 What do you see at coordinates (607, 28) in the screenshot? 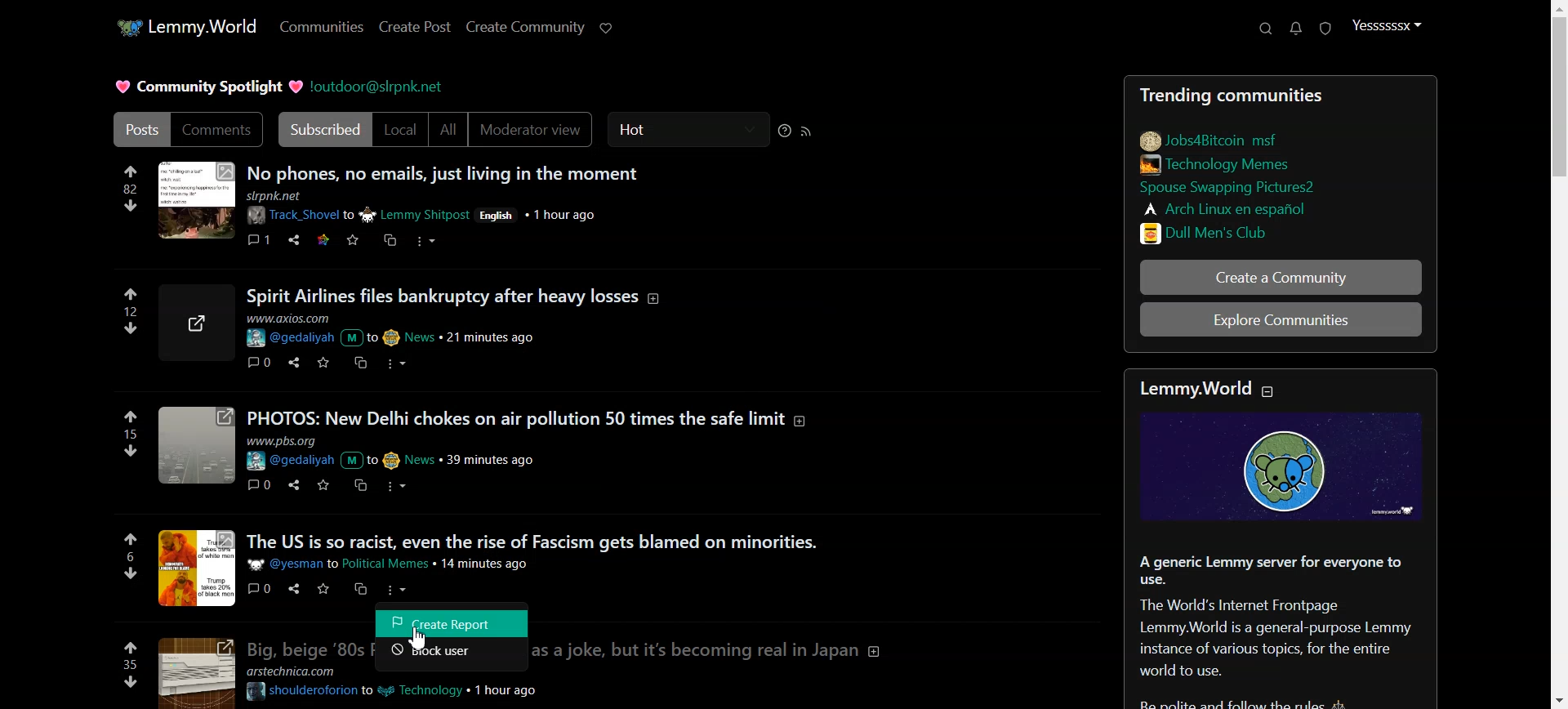
I see `Support Limmy` at bounding box center [607, 28].